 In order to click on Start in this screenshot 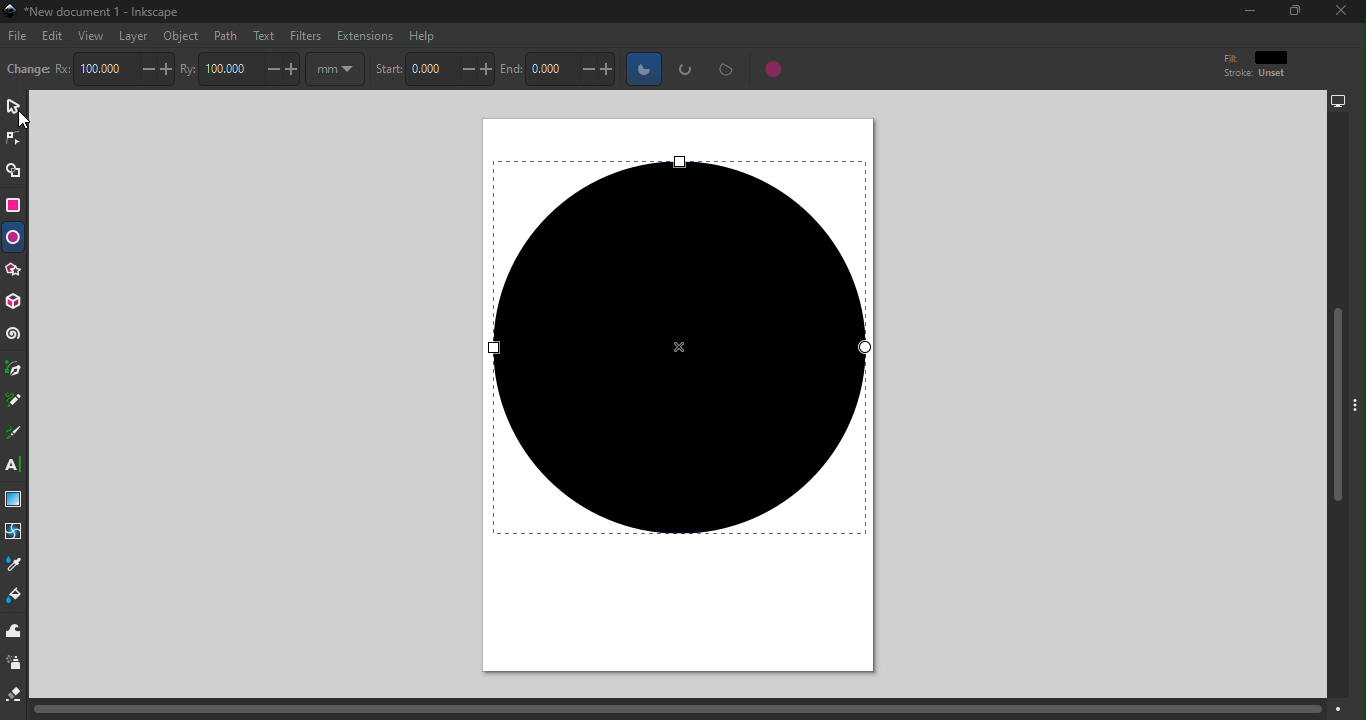, I will do `click(386, 69)`.